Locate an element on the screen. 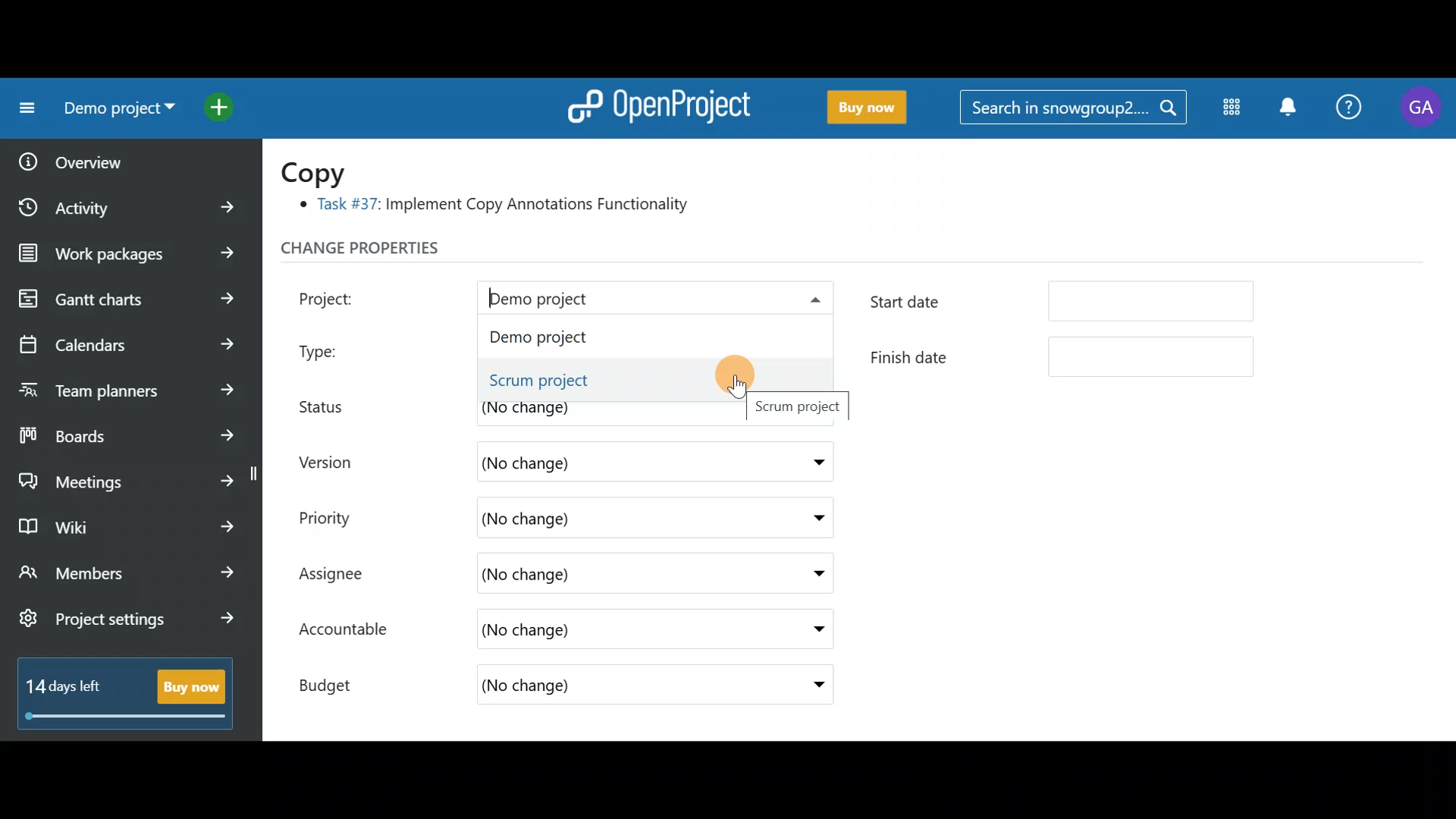 This screenshot has height=819, width=1456. (No change) is located at coordinates (604, 687).